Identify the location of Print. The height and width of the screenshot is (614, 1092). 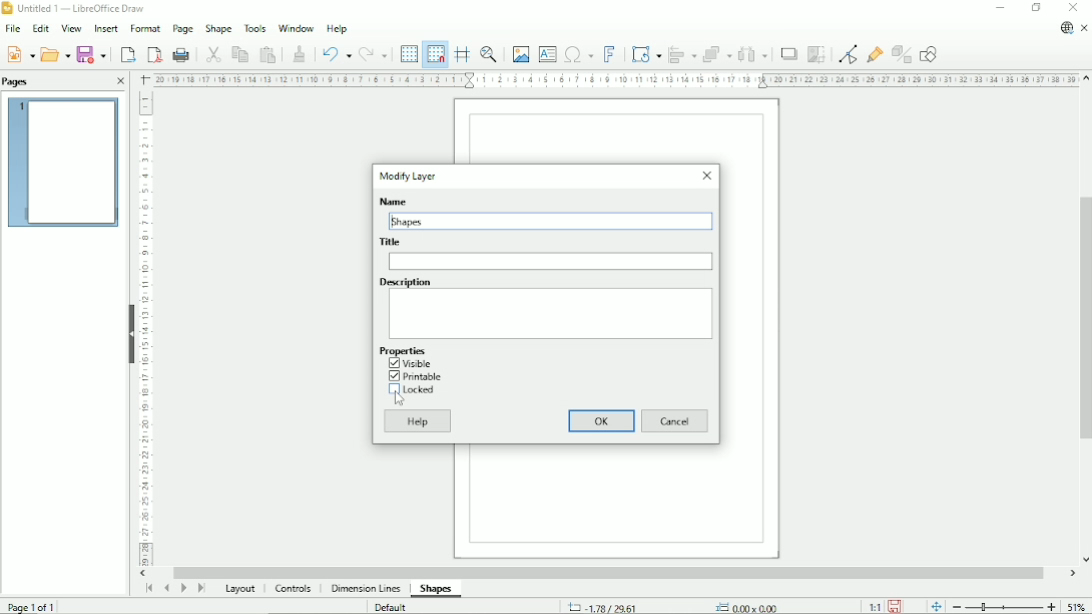
(181, 54).